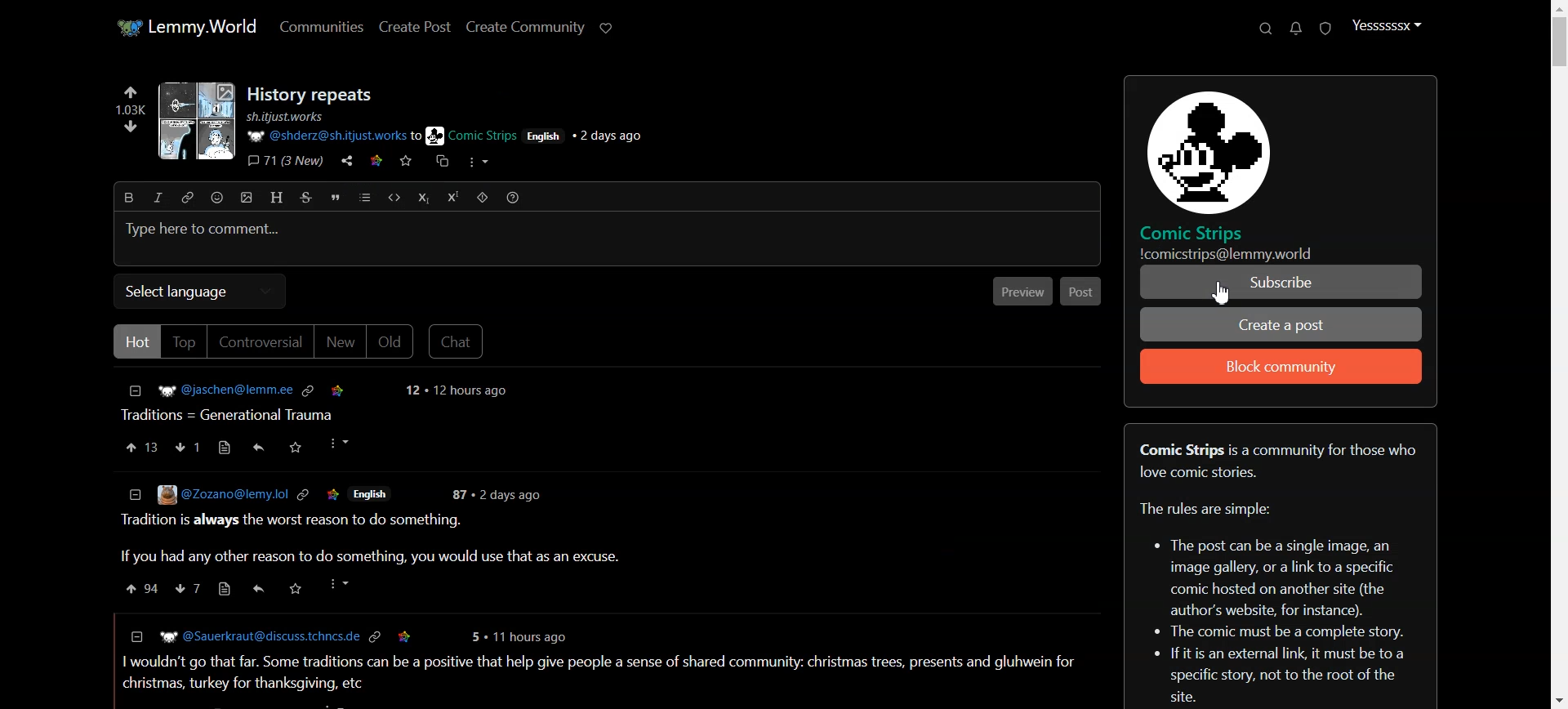  Describe the element at coordinates (136, 589) in the screenshot. I see `Like` at that location.